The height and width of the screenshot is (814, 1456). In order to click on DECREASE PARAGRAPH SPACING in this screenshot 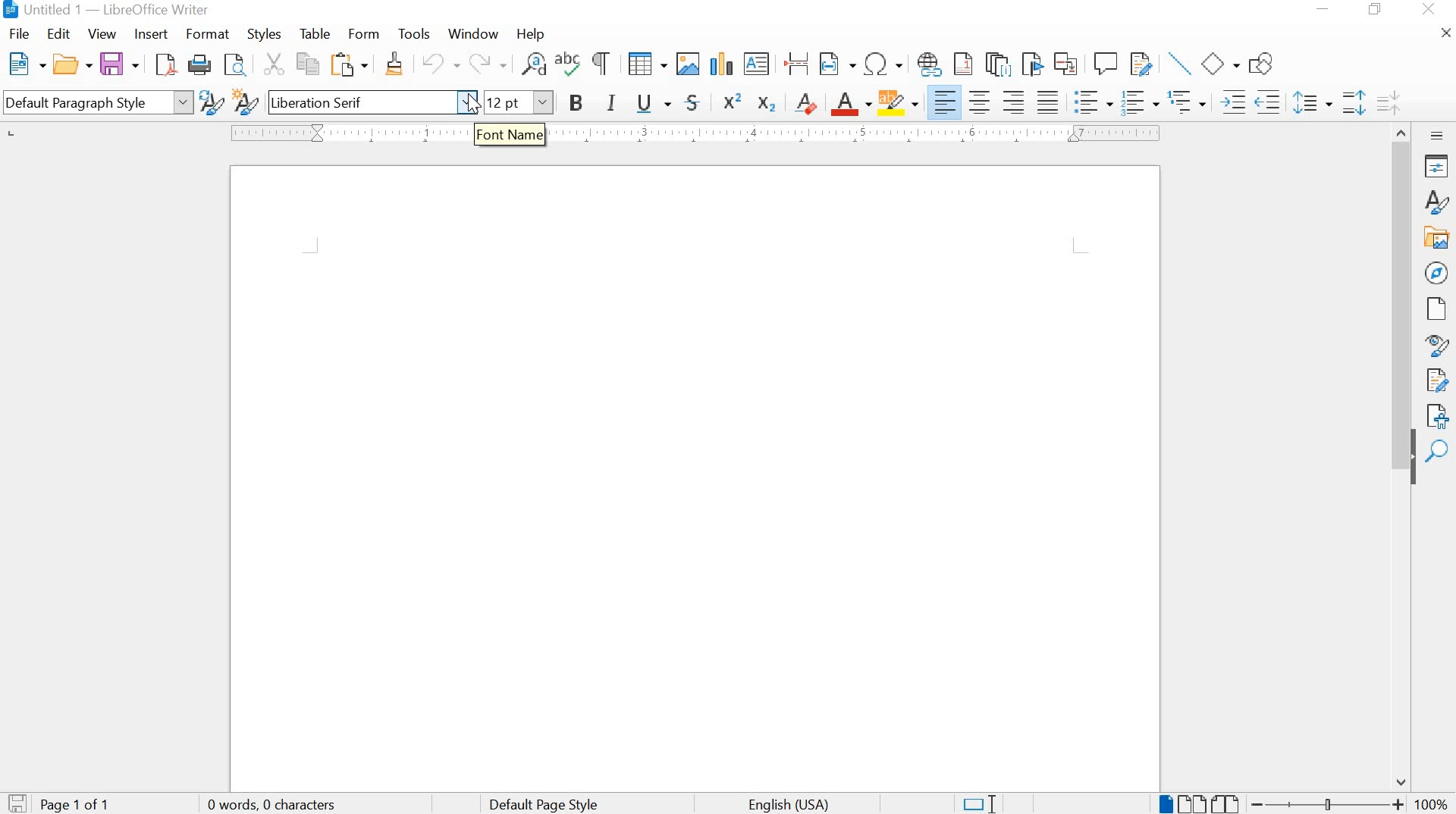, I will do `click(1387, 101)`.